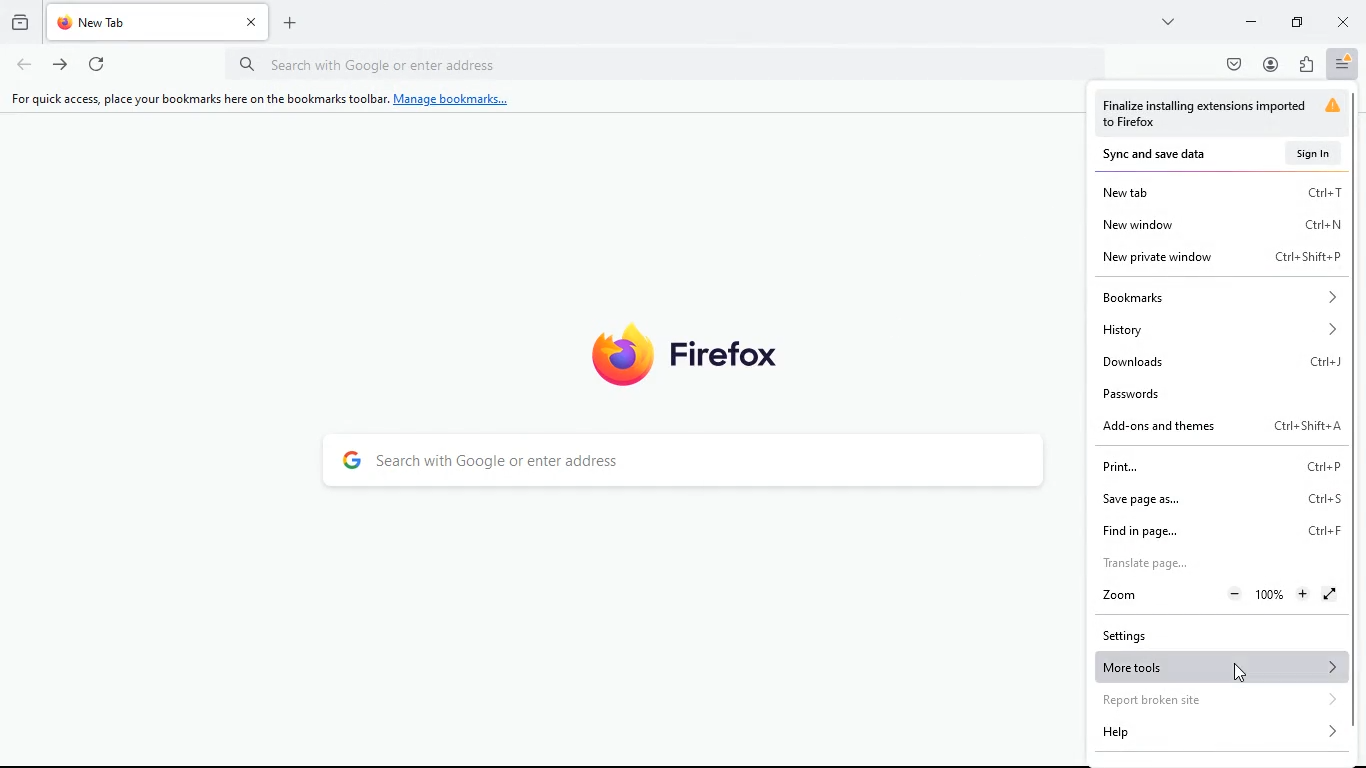  Describe the element at coordinates (1220, 224) in the screenshot. I see `new window` at that location.